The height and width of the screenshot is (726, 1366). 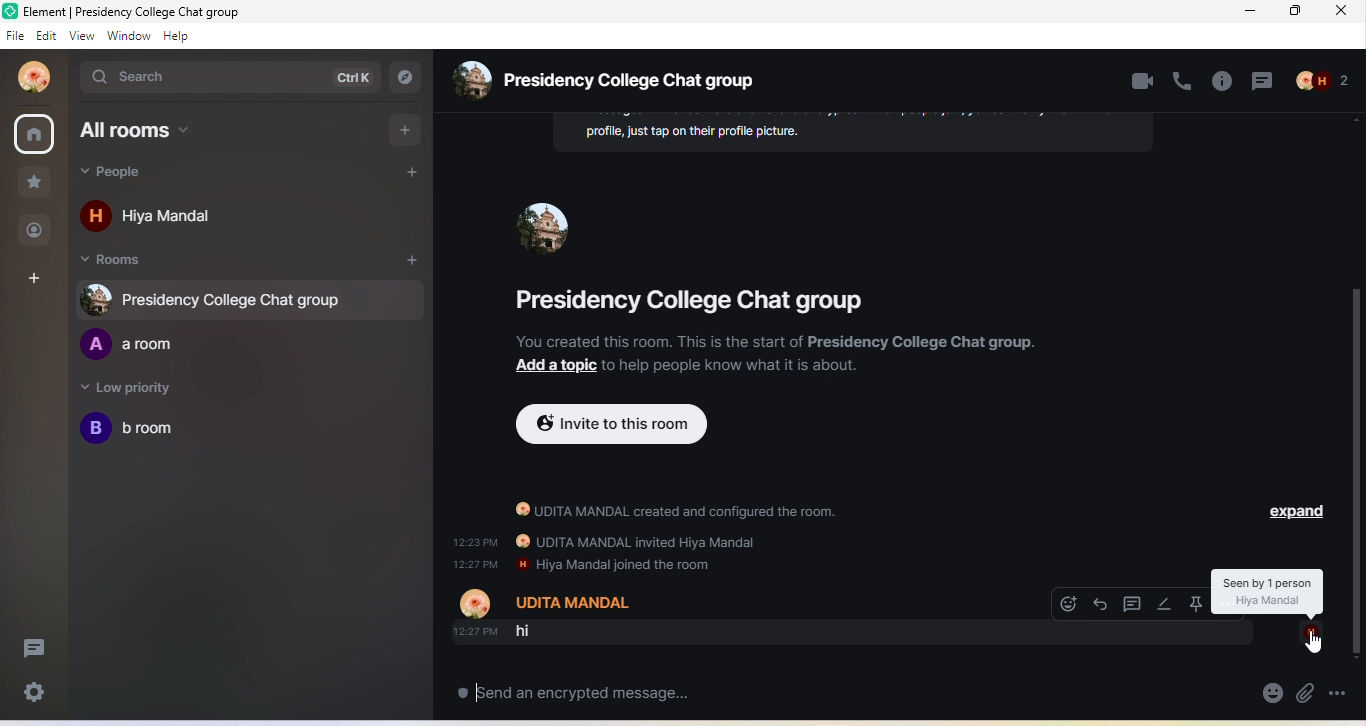 I want to click on edit, so click(x=47, y=37).